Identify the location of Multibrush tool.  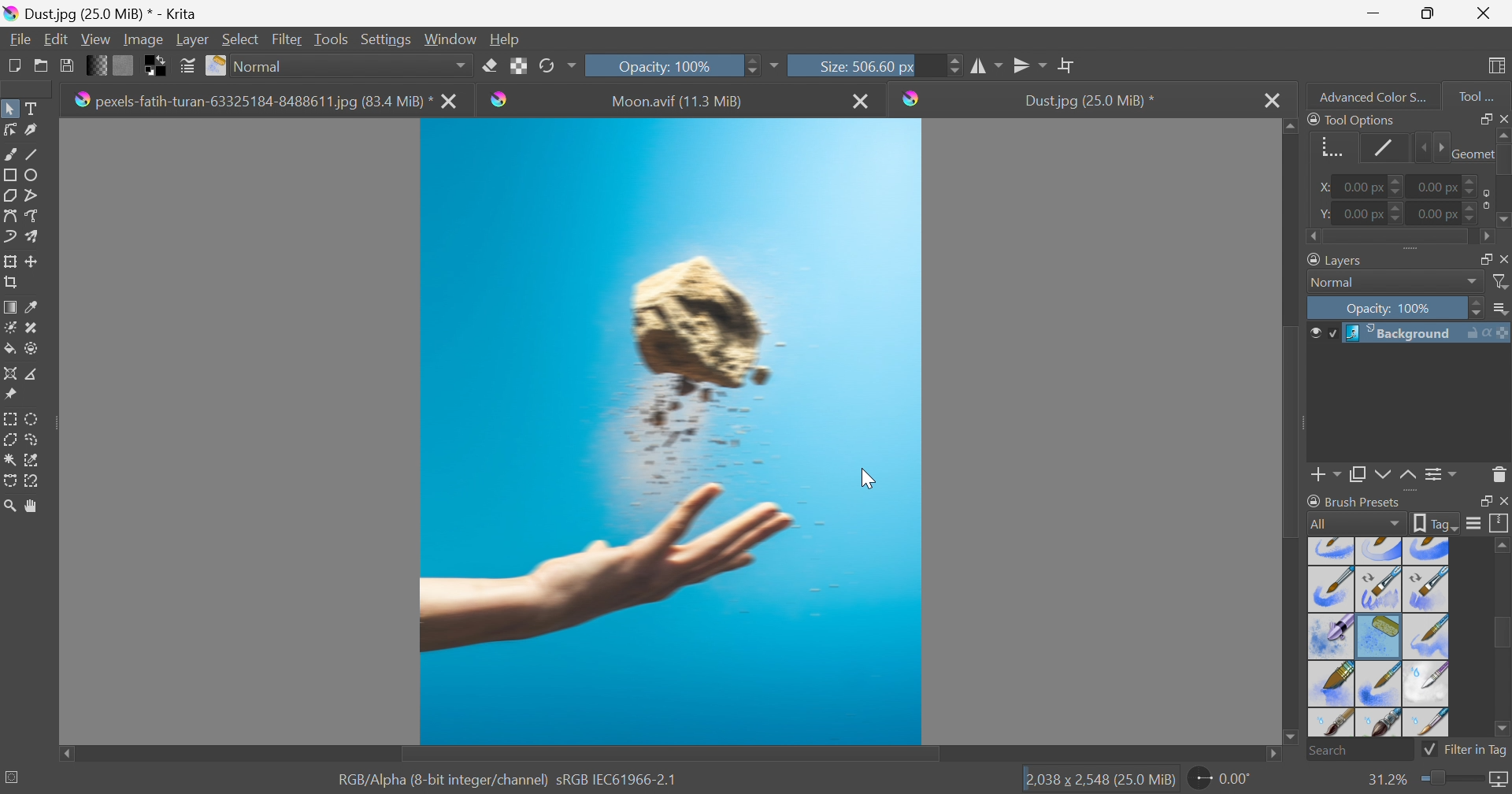
(37, 236).